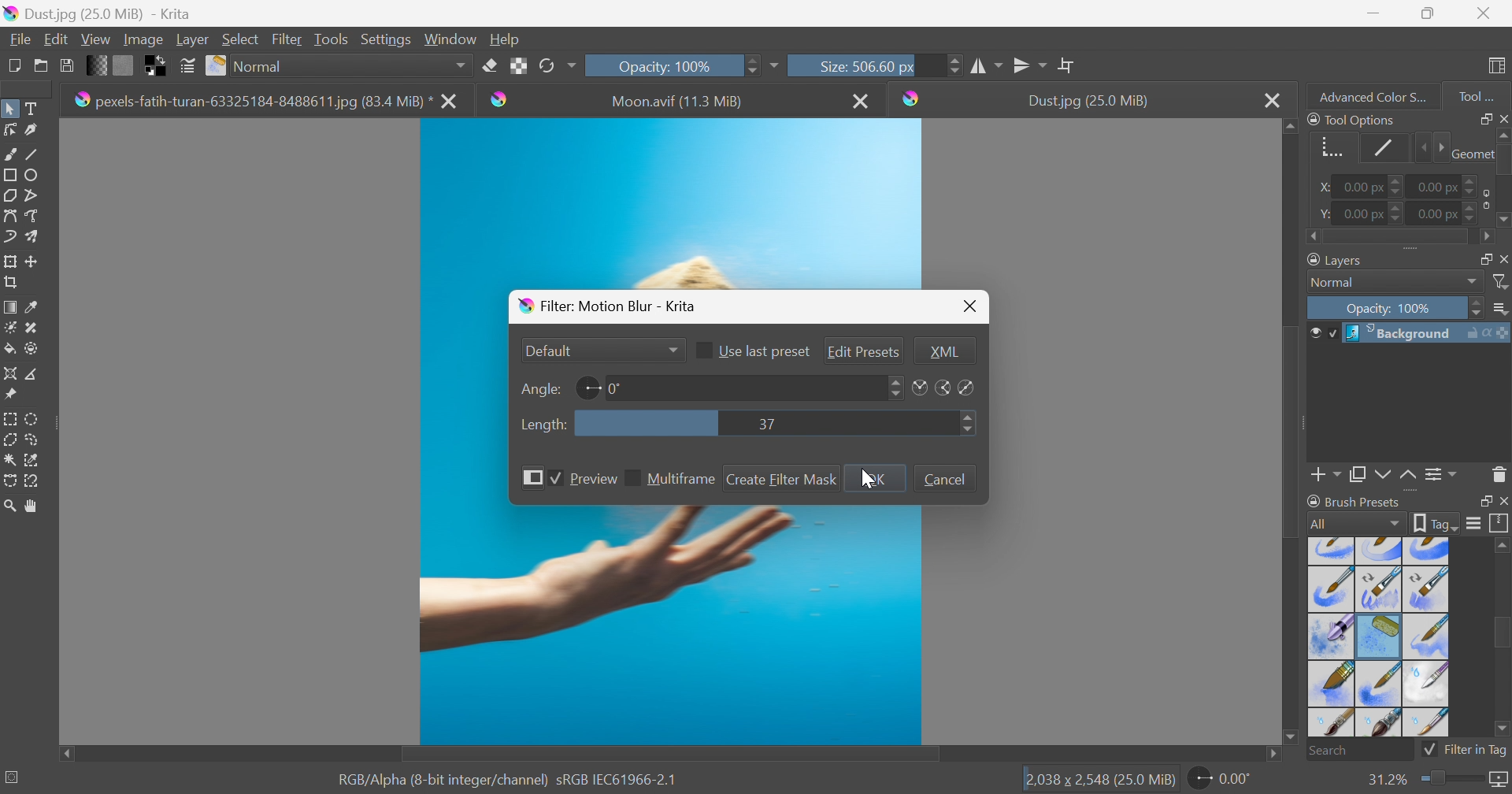 This screenshot has width=1512, height=794. What do you see at coordinates (252, 102) in the screenshot?
I see `pexels-fatih-turan-6332518` at bounding box center [252, 102].